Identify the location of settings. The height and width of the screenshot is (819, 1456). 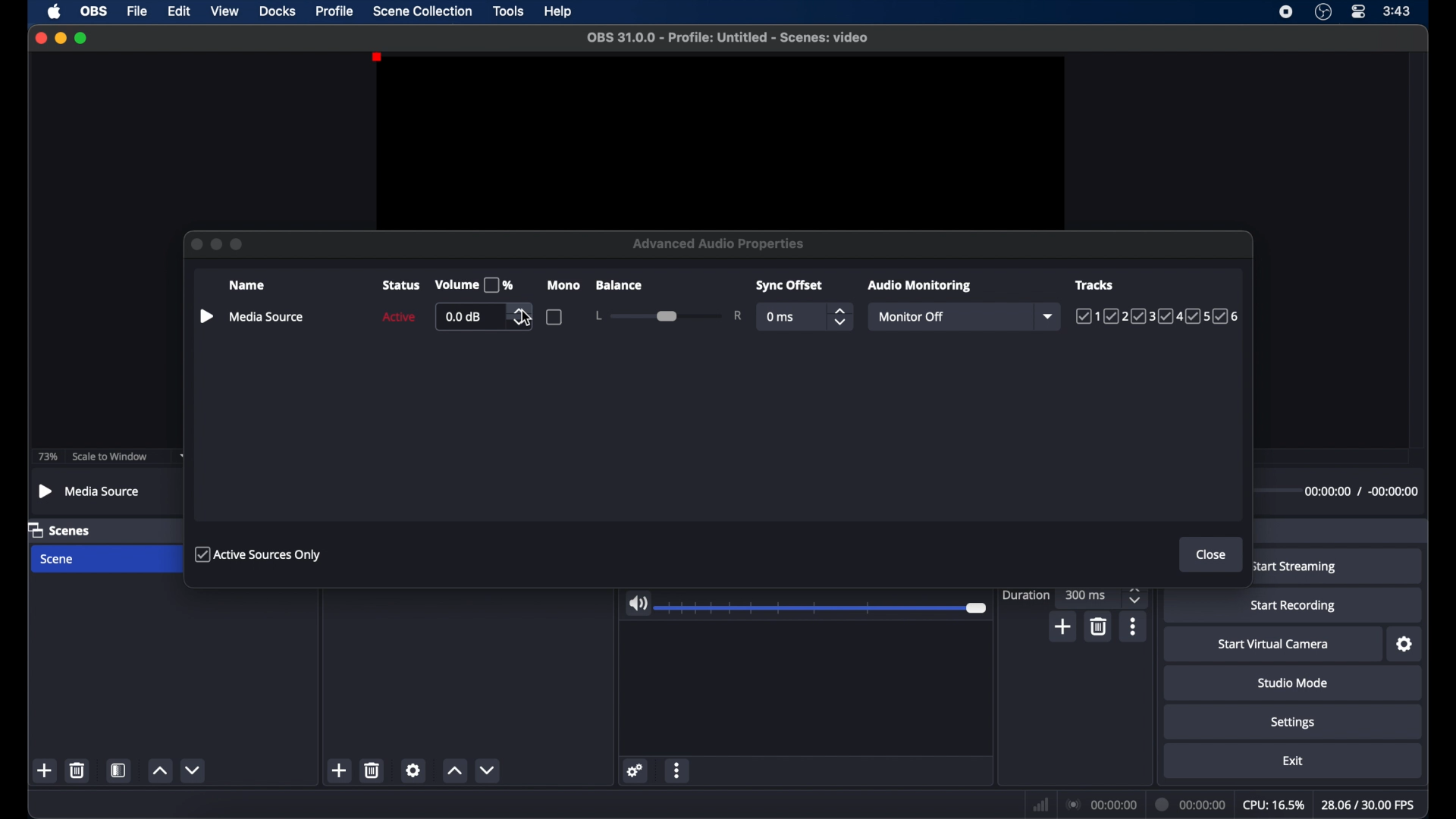
(413, 770).